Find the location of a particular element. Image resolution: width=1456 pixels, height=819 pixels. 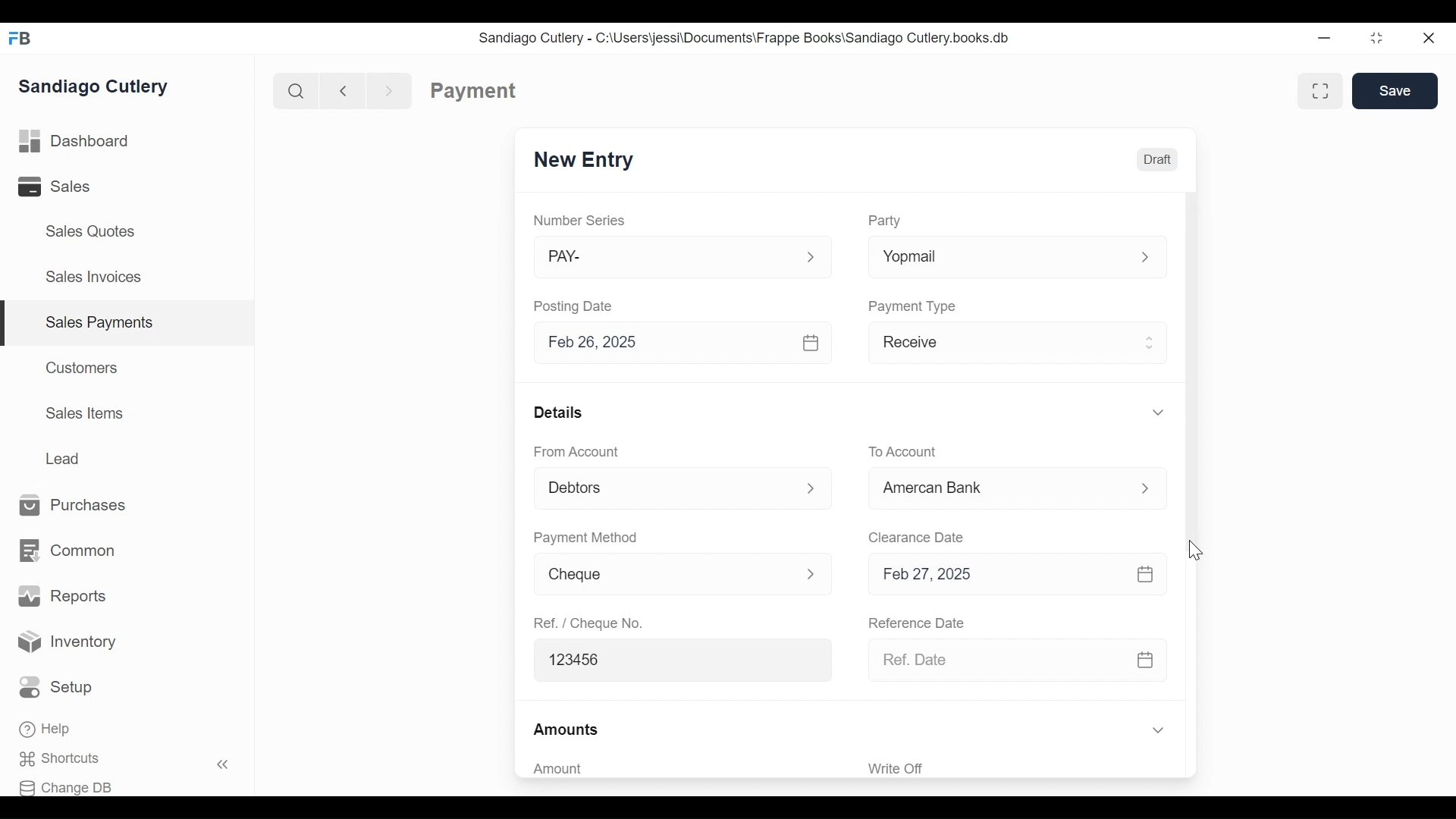

Expand is located at coordinates (1151, 340).